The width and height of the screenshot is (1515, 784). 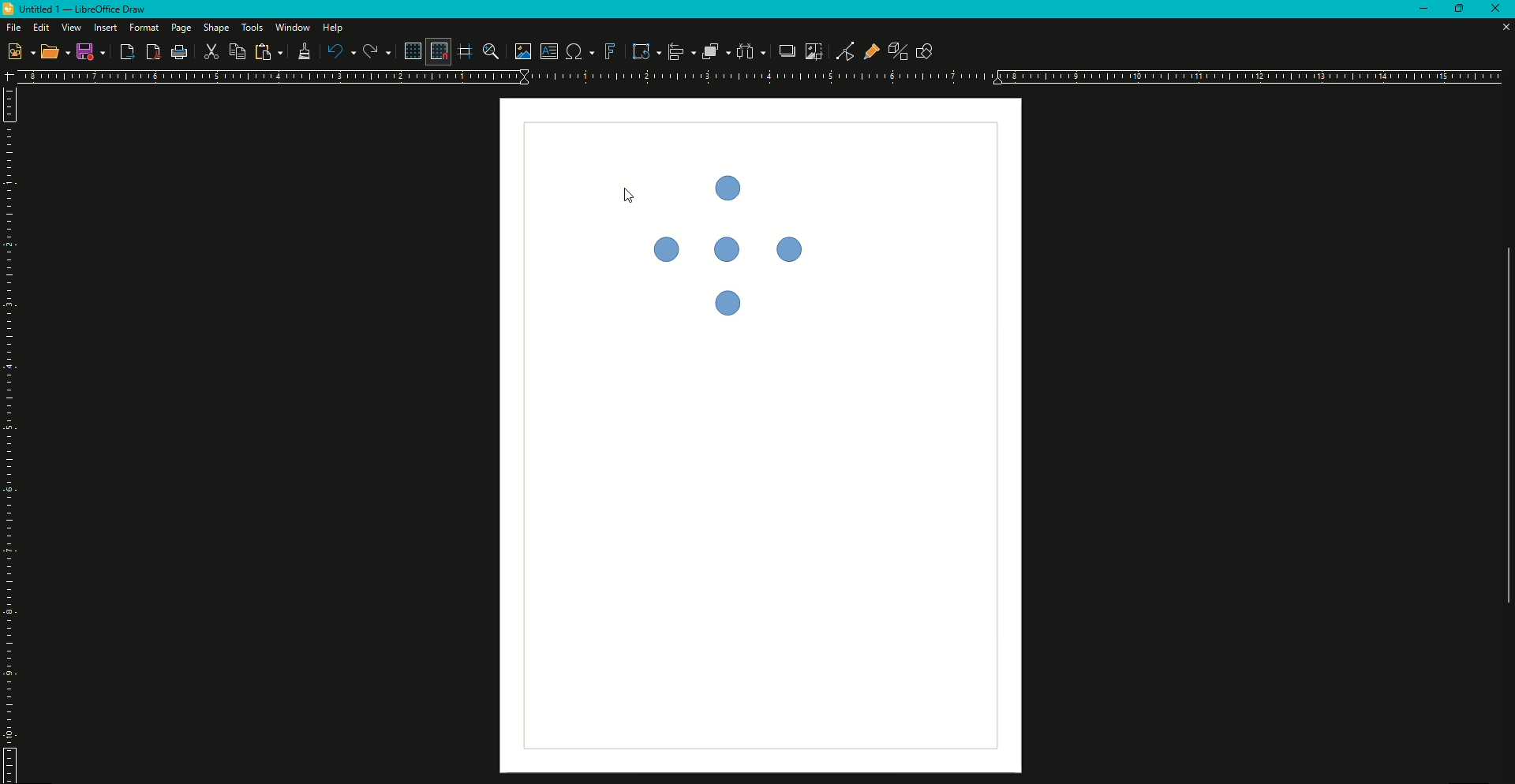 I want to click on Copy, so click(x=237, y=52).